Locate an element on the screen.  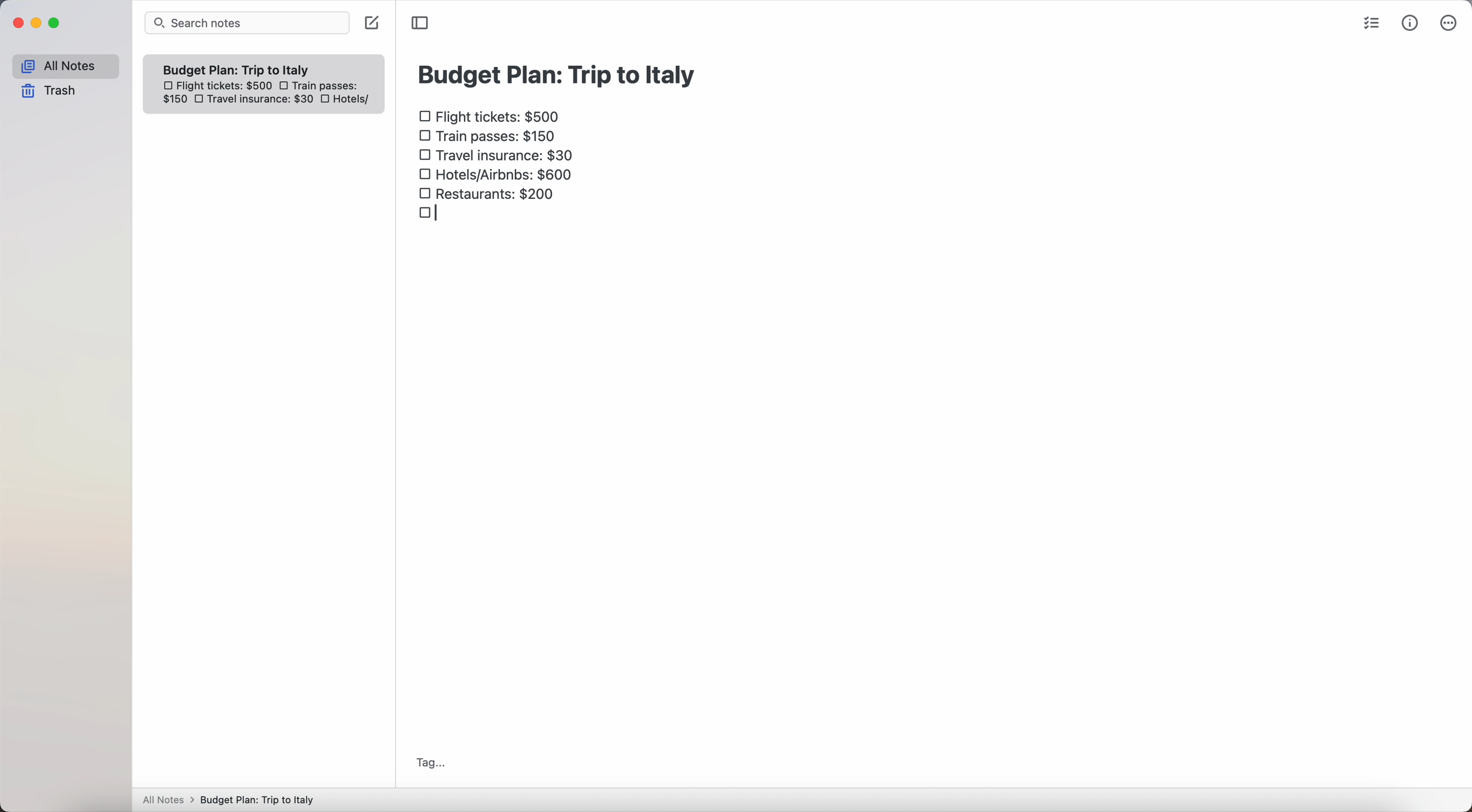
train passes $150 checkbox is located at coordinates (489, 139).